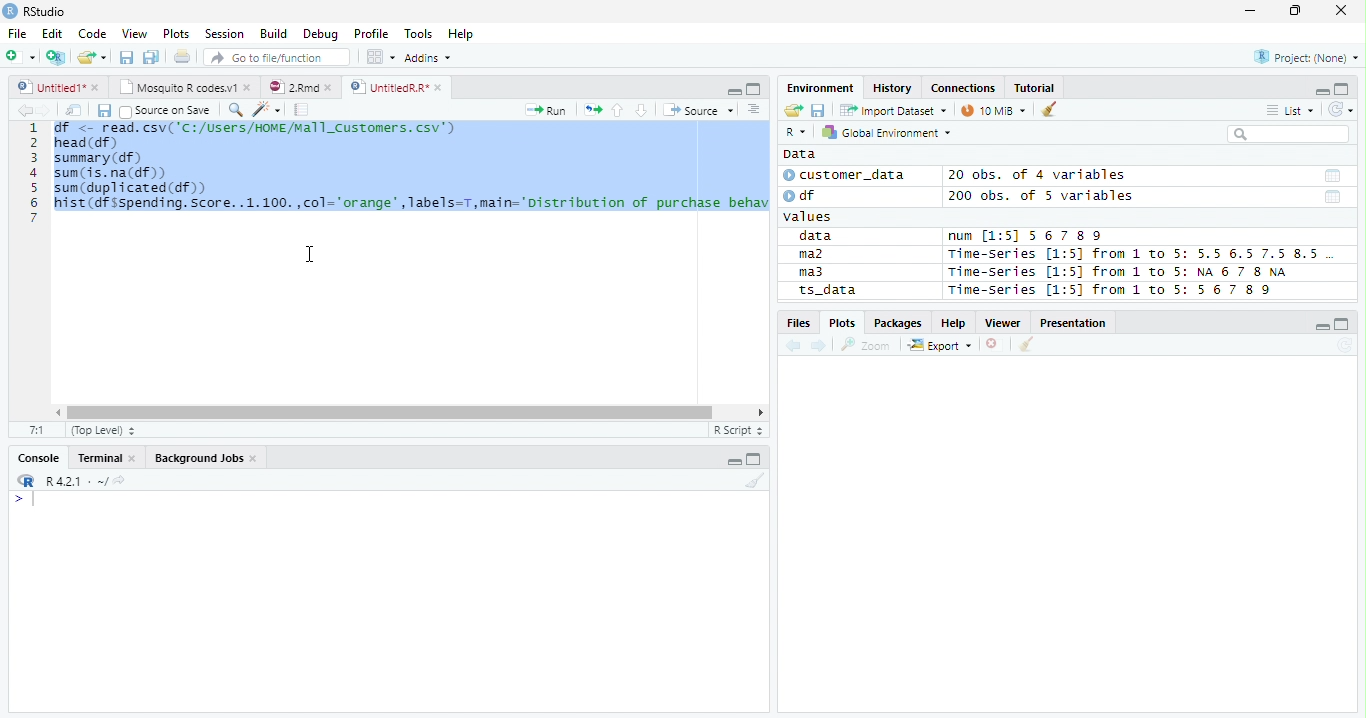  Describe the element at coordinates (1344, 324) in the screenshot. I see `Maximize` at that location.